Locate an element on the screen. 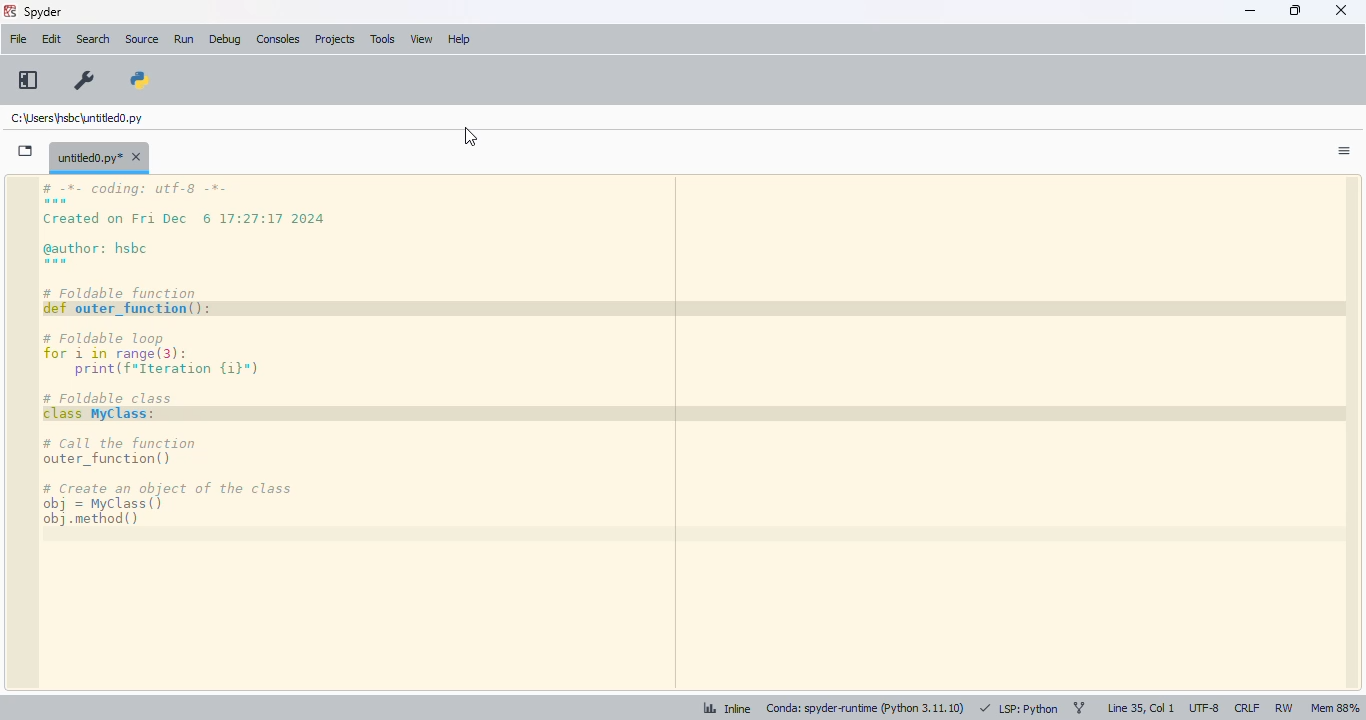 The height and width of the screenshot is (720, 1366). help is located at coordinates (462, 42).